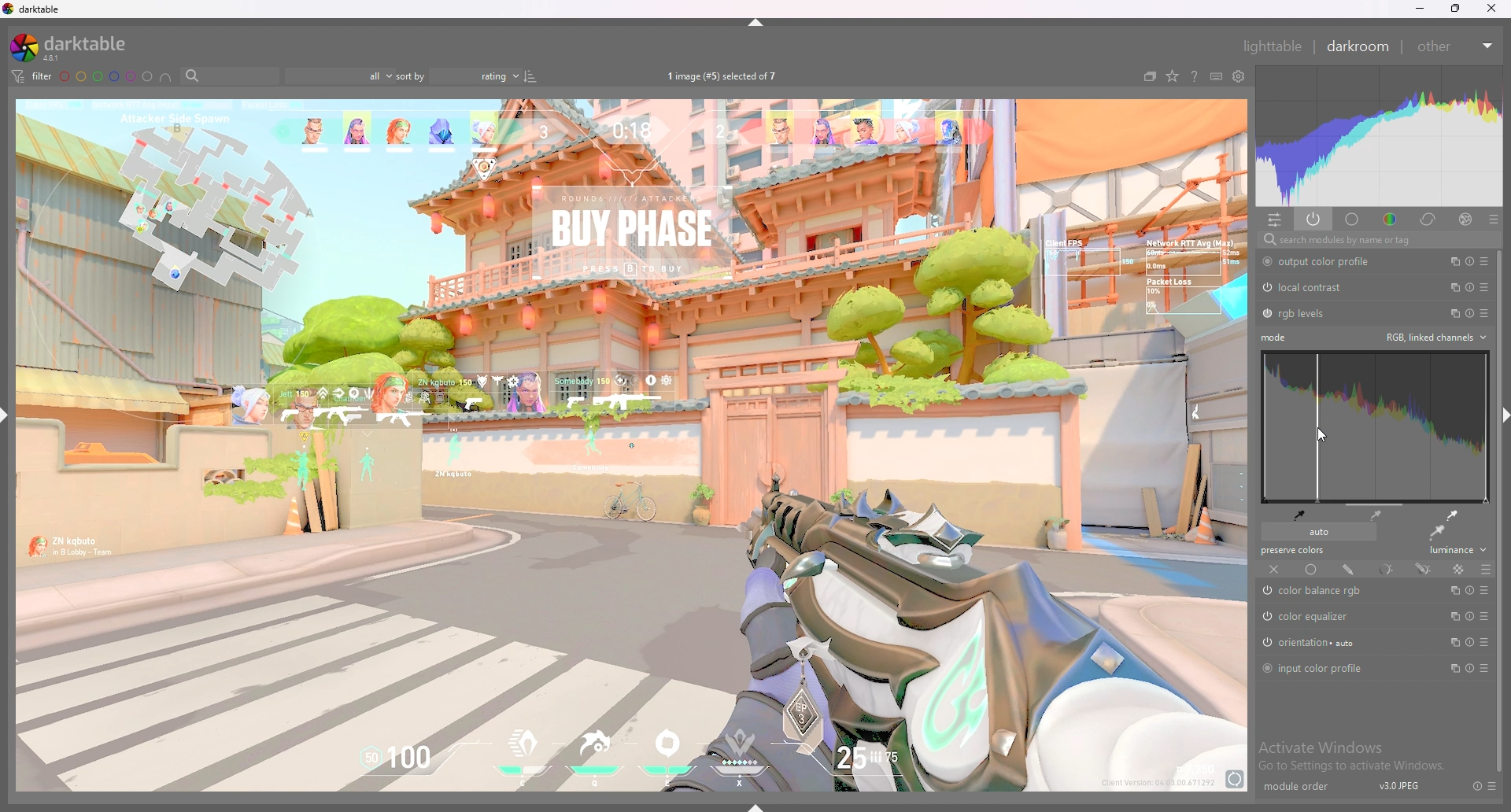 This screenshot has width=1511, height=812. Describe the element at coordinates (69, 47) in the screenshot. I see `darktable` at that location.